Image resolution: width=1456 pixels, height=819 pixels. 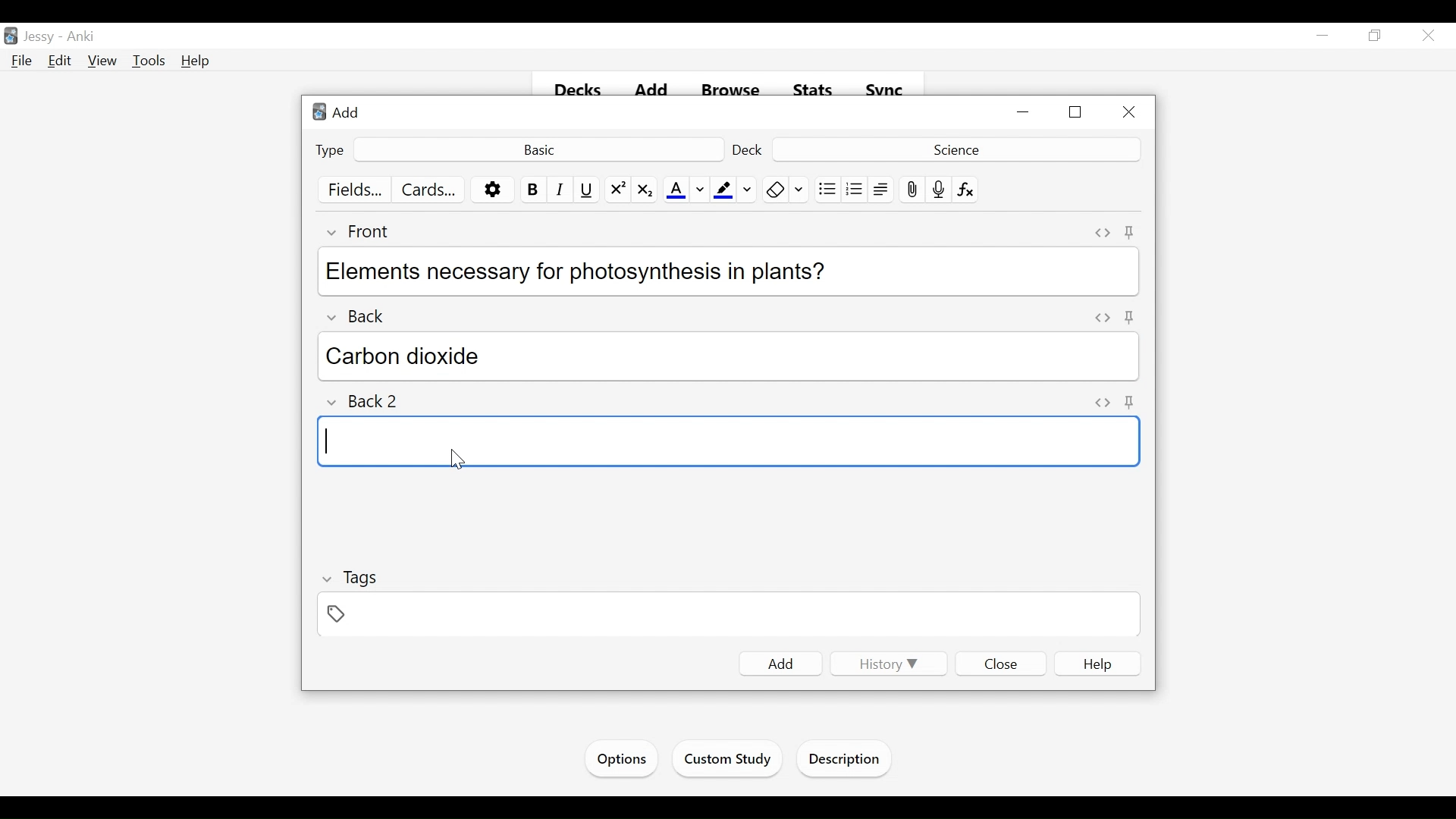 What do you see at coordinates (366, 312) in the screenshot?
I see `Back` at bounding box center [366, 312].